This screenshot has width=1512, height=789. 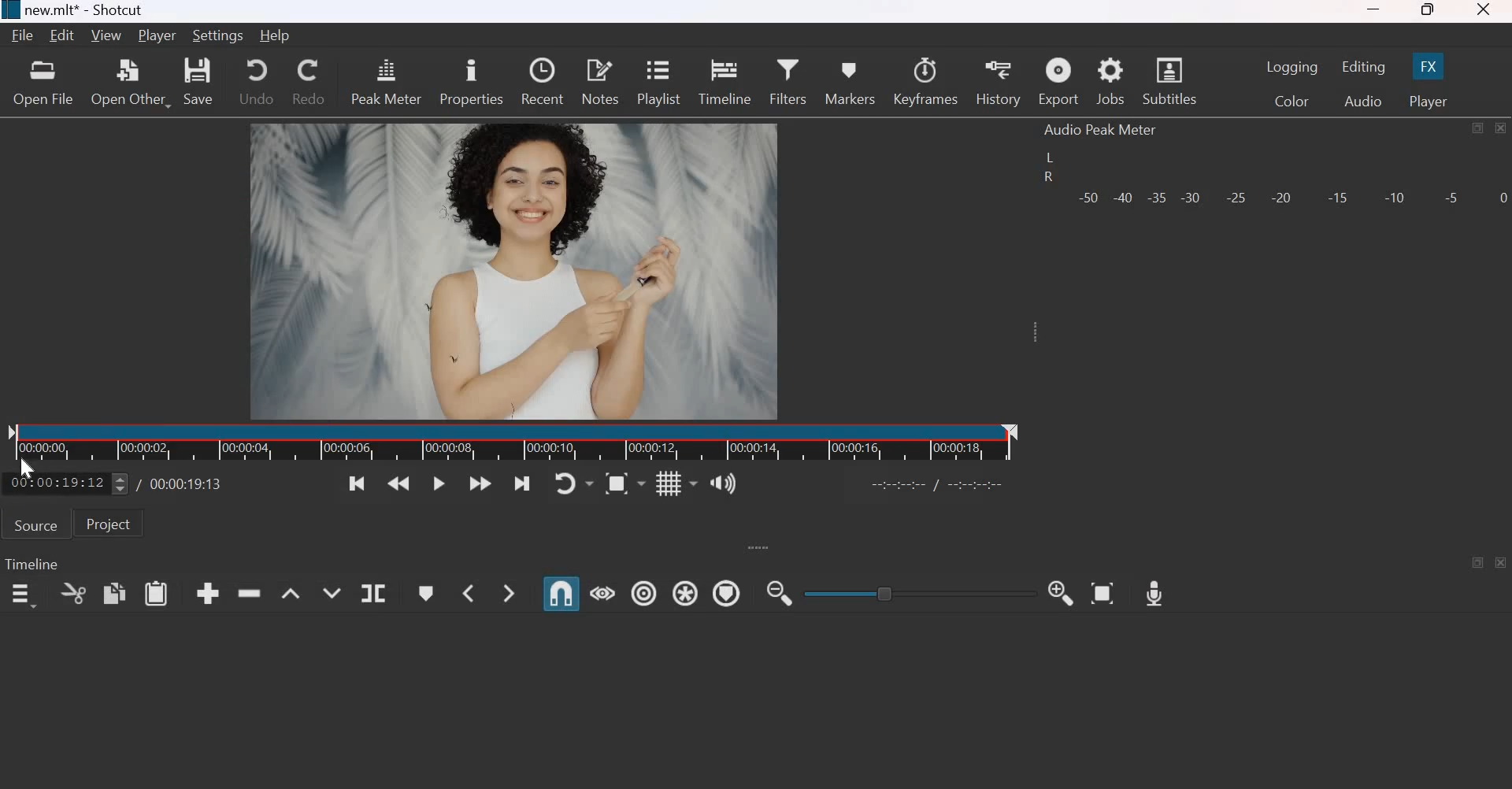 What do you see at coordinates (778, 595) in the screenshot?
I see `Zoom Timeline out` at bounding box center [778, 595].